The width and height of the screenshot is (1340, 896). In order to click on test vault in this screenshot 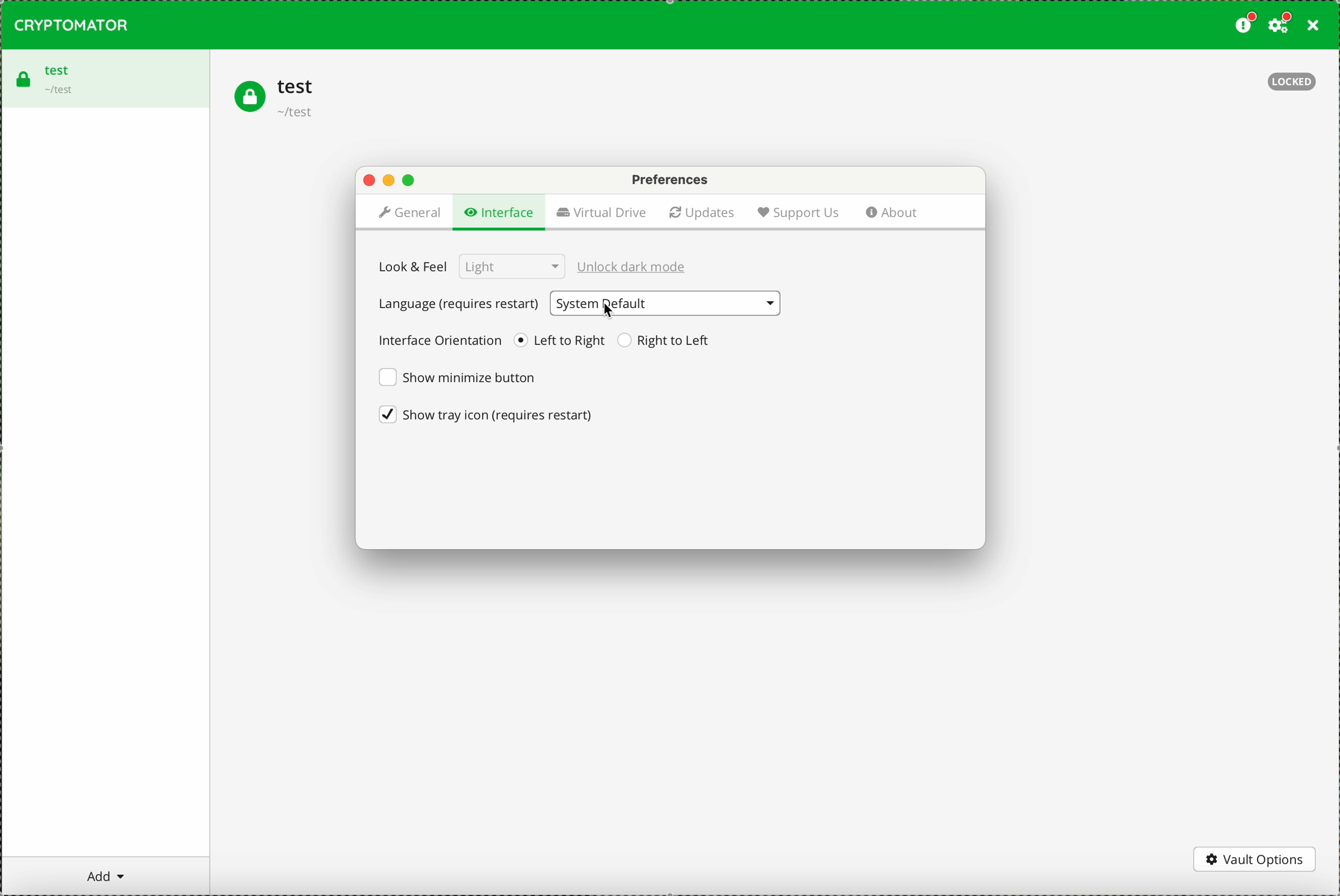, I will do `click(275, 98)`.